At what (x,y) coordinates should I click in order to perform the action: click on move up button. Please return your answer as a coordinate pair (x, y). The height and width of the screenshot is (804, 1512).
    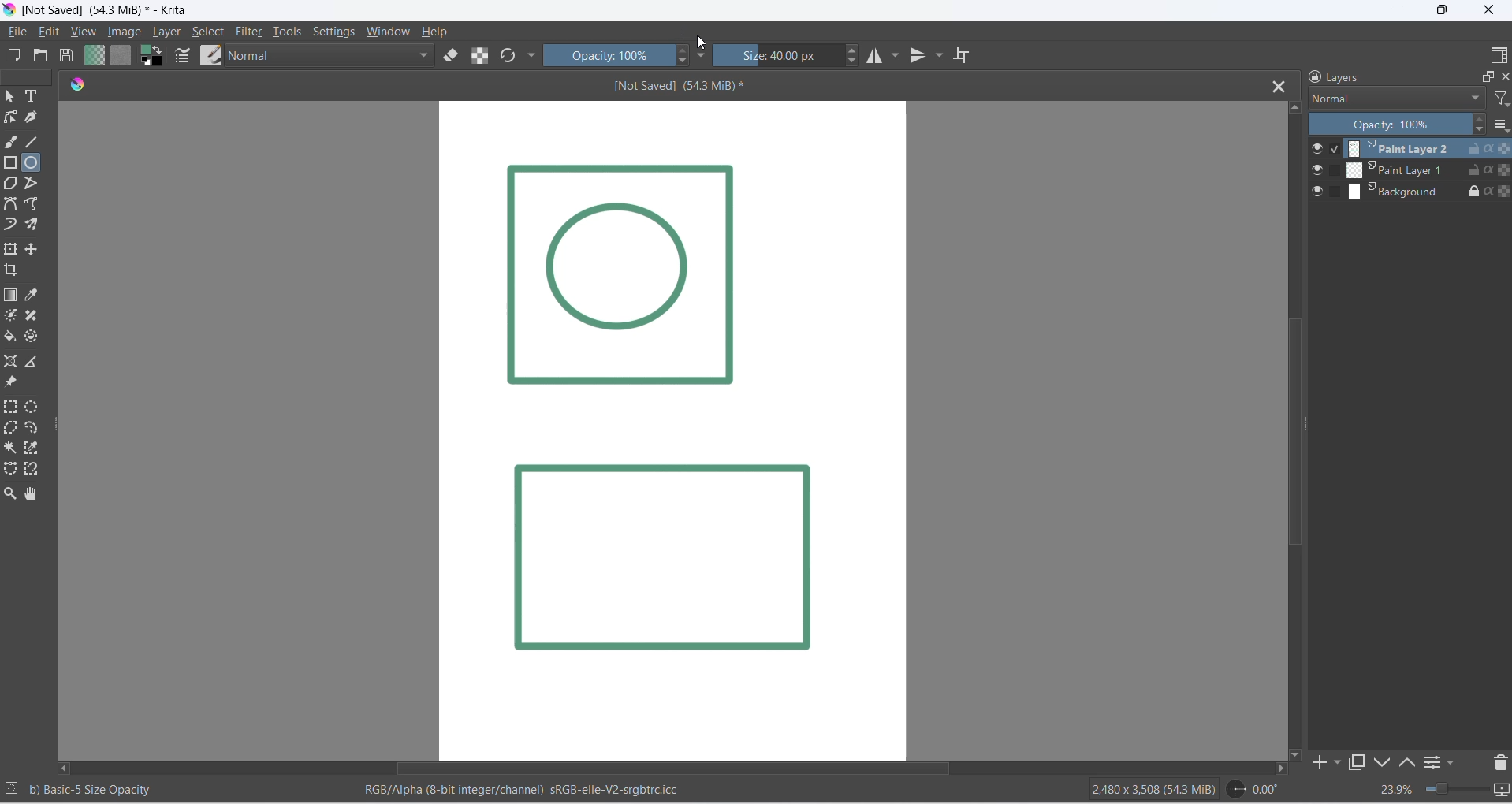
    Looking at the image, I should click on (1294, 108).